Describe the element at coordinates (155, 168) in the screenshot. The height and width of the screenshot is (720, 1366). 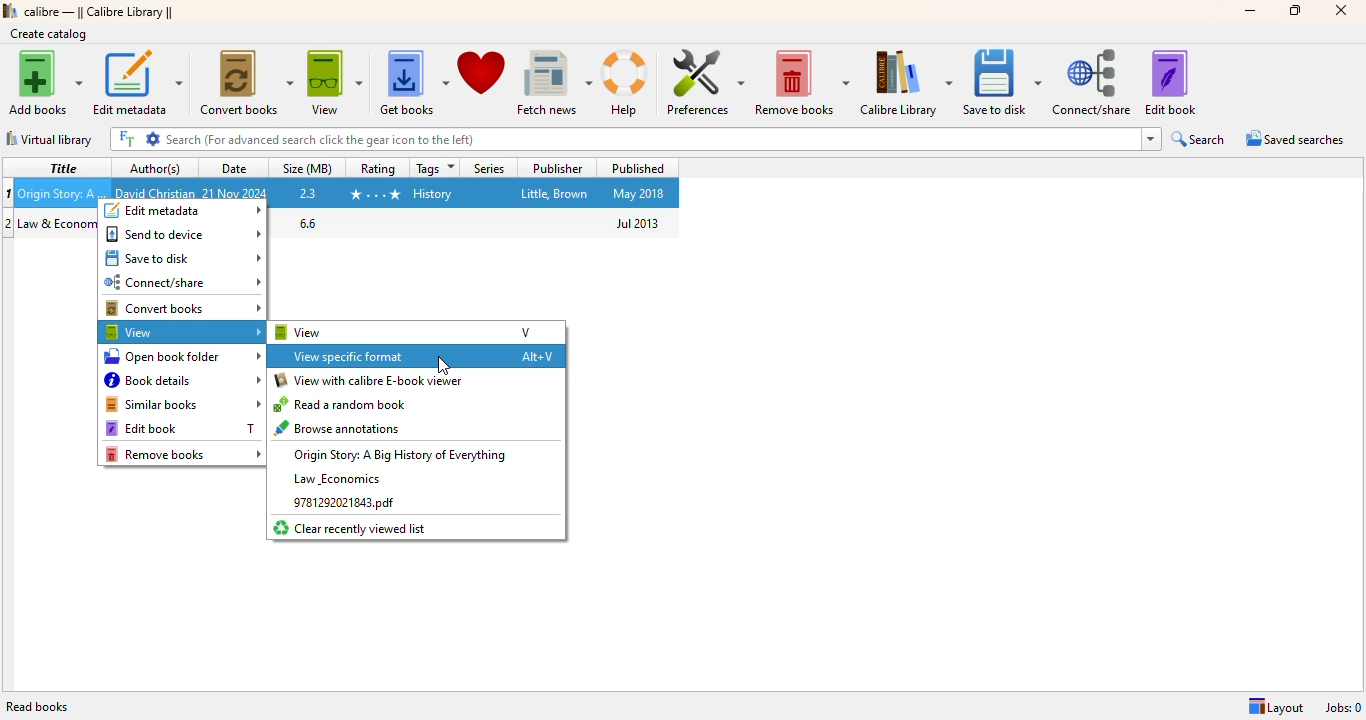
I see `author(s)` at that location.